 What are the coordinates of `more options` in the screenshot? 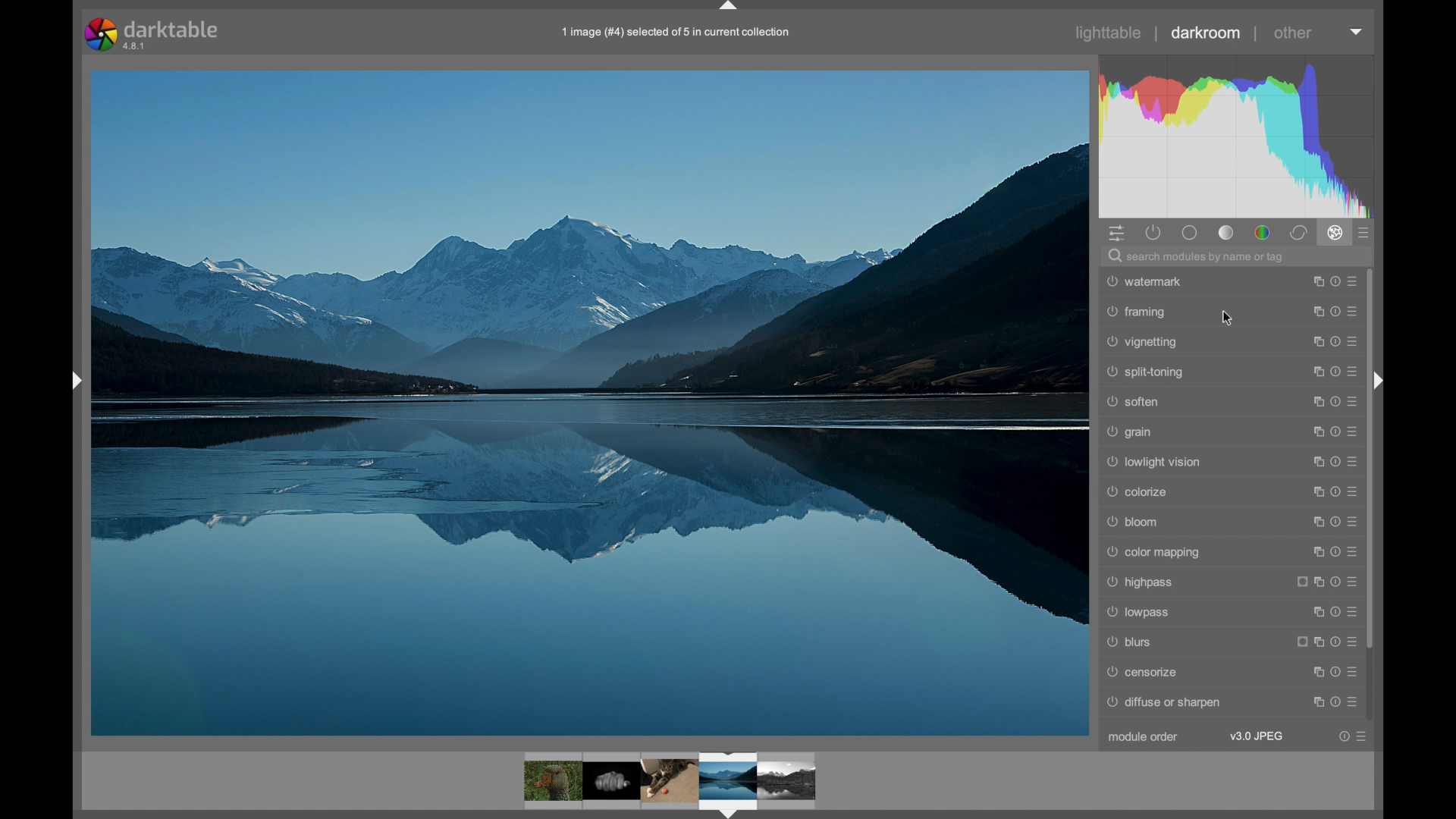 It's located at (1336, 463).